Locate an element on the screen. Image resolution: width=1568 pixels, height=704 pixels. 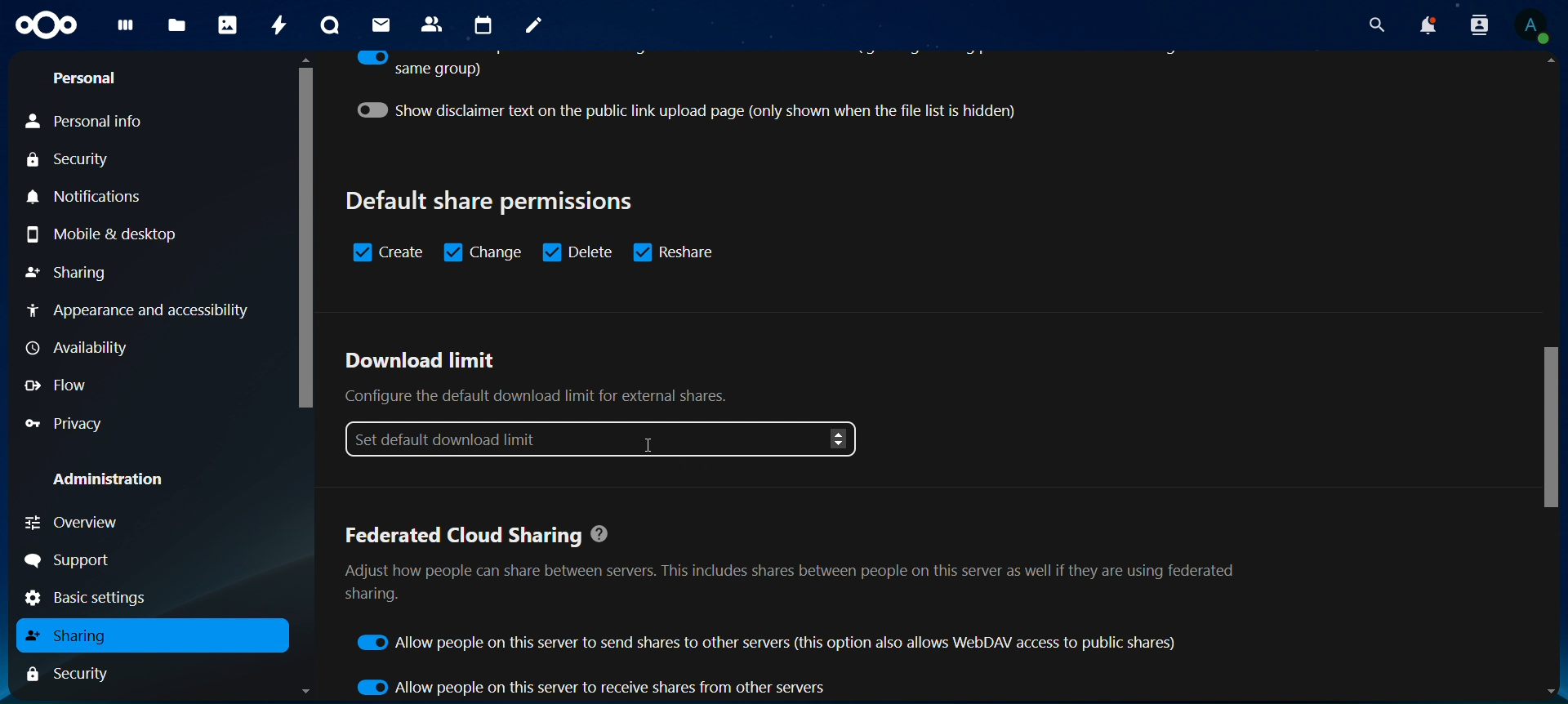
personal is located at coordinates (88, 77).